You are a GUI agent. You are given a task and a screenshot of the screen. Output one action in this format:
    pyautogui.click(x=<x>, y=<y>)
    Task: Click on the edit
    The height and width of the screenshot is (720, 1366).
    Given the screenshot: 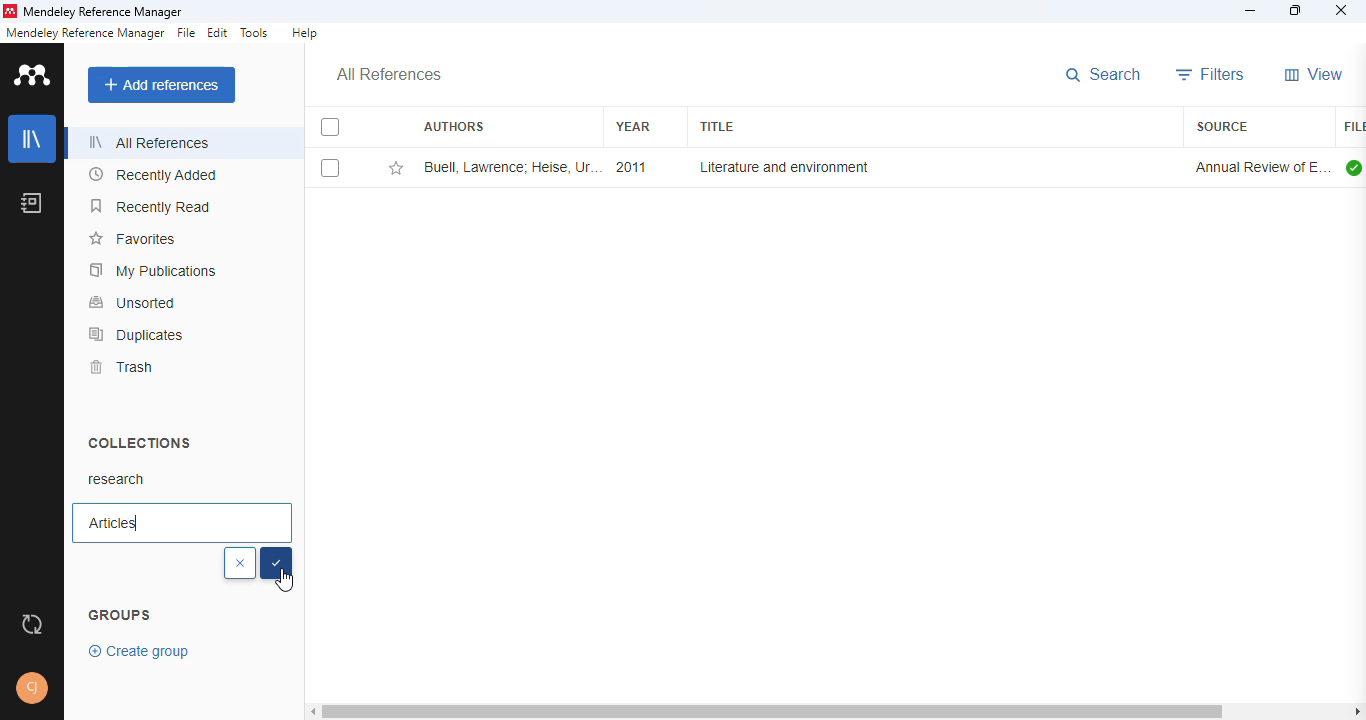 What is the action you would take?
    pyautogui.click(x=219, y=32)
    